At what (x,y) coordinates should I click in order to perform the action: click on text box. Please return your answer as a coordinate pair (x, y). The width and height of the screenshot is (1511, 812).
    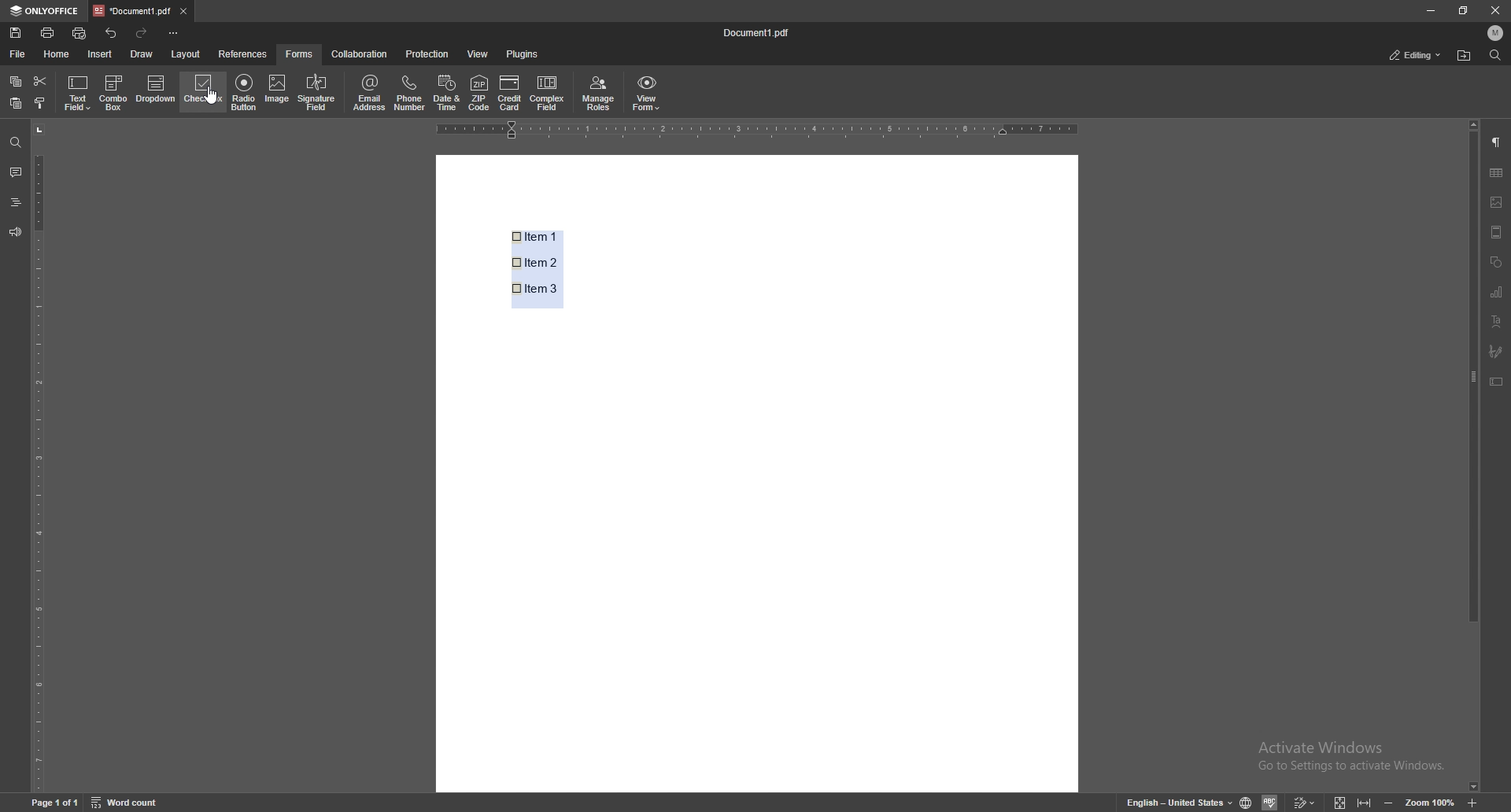
    Looking at the image, I should click on (1498, 382).